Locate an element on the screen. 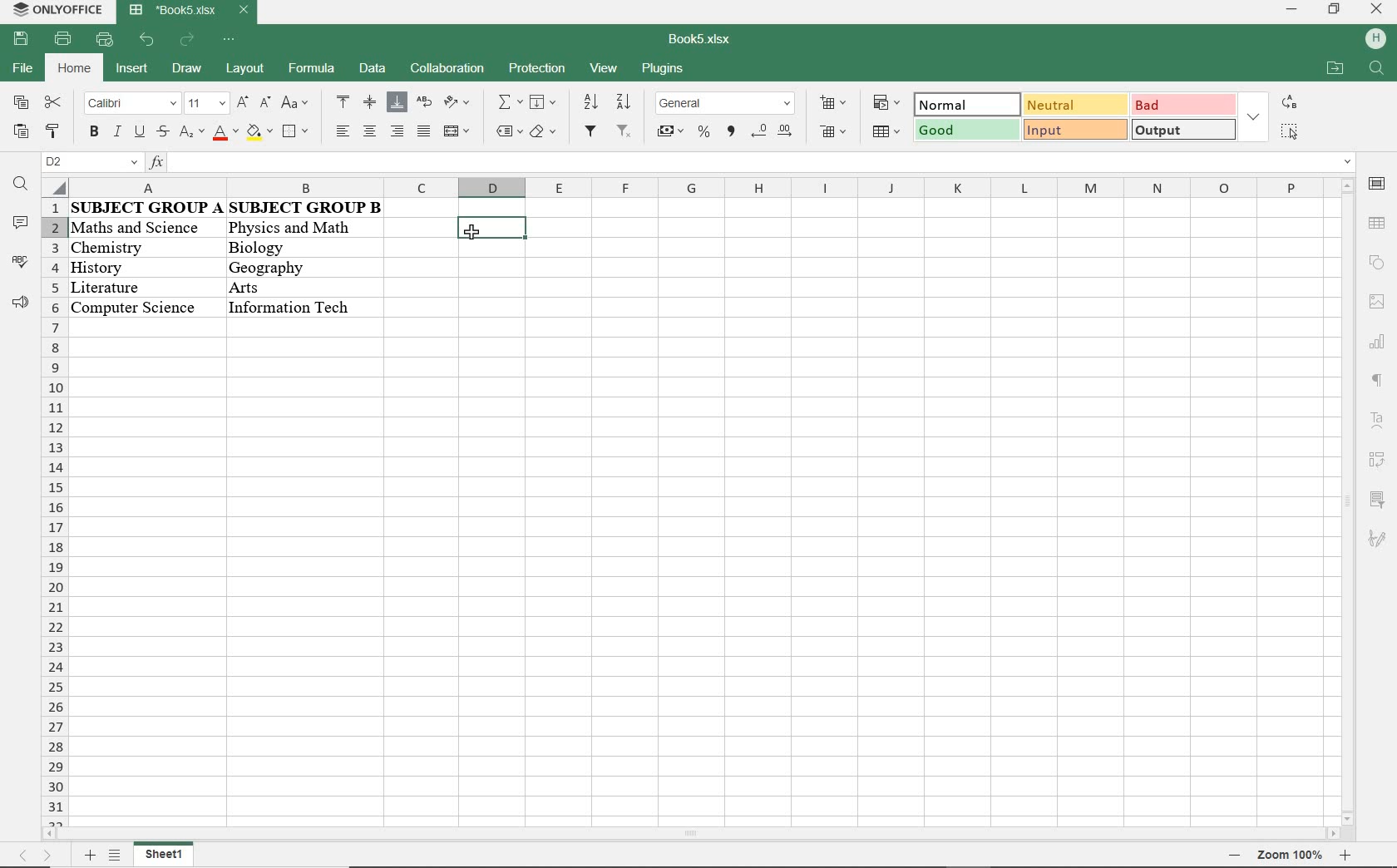  find is located at coordinates (20, 184).